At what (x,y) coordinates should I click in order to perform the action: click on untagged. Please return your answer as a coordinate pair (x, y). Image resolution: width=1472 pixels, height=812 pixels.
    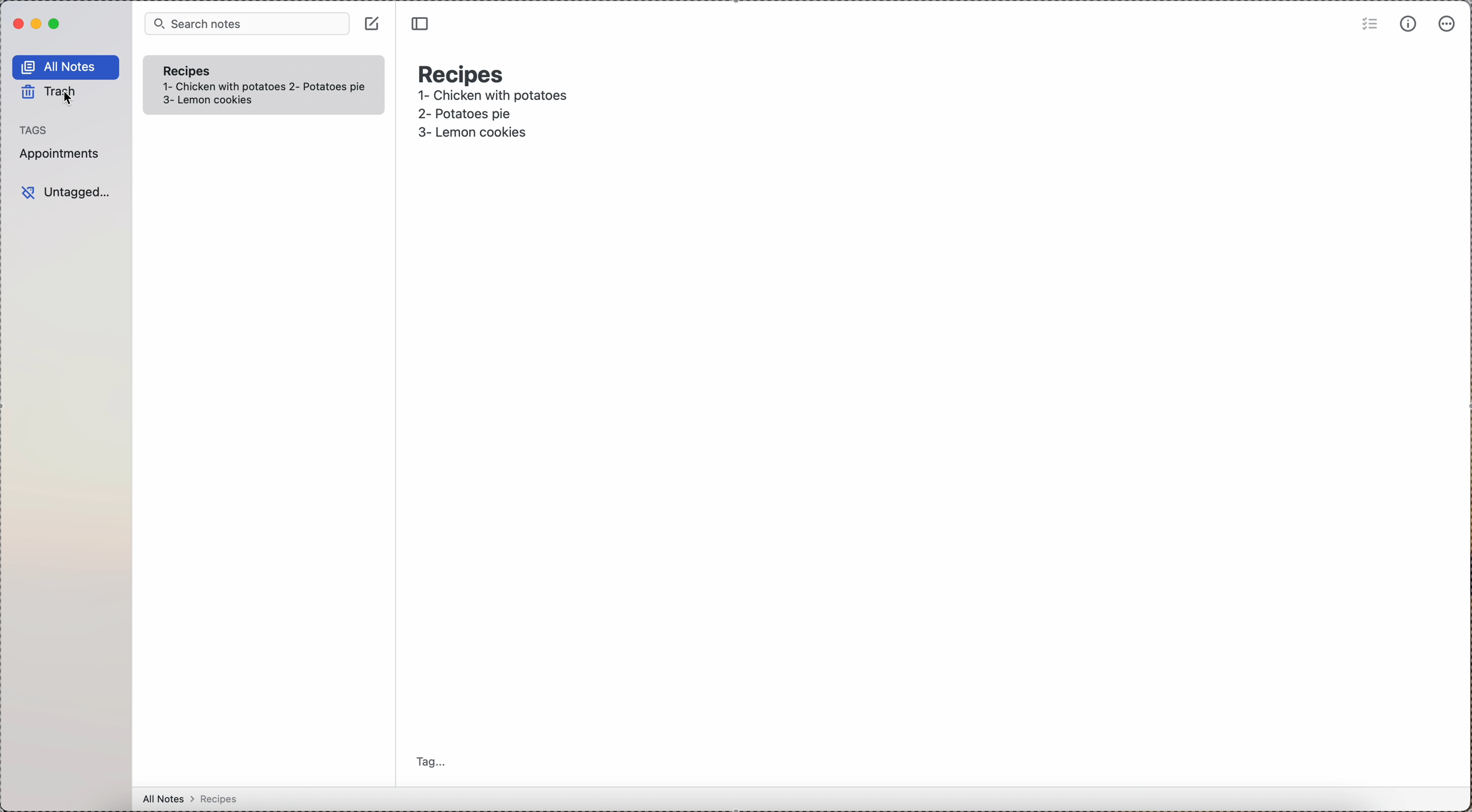
    Looking at the image, I should click on (65, 190).